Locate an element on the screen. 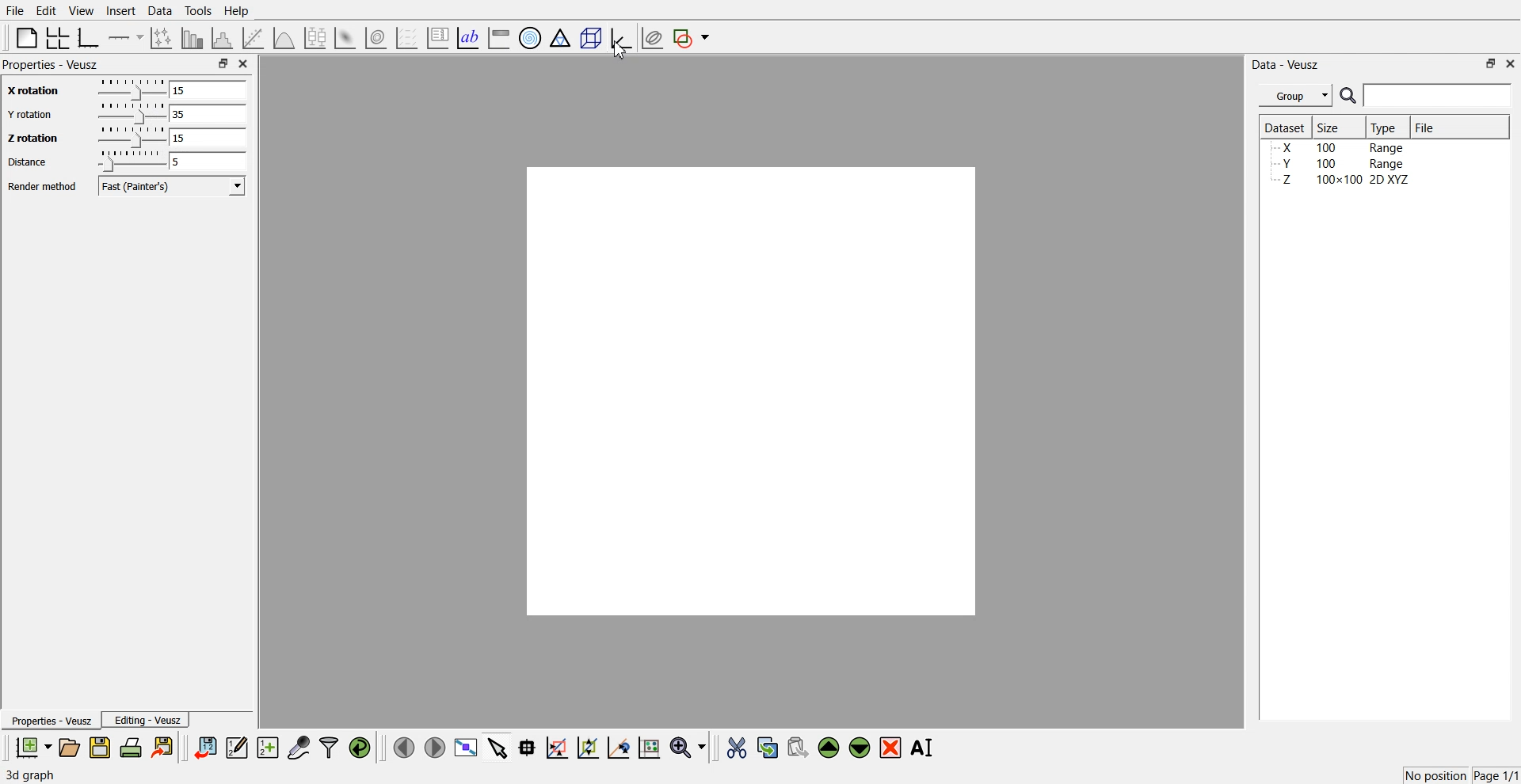 The width and height of the screenshot is (1521, 784). Plot covariance ellipsis is located at coordinates (653, 39).